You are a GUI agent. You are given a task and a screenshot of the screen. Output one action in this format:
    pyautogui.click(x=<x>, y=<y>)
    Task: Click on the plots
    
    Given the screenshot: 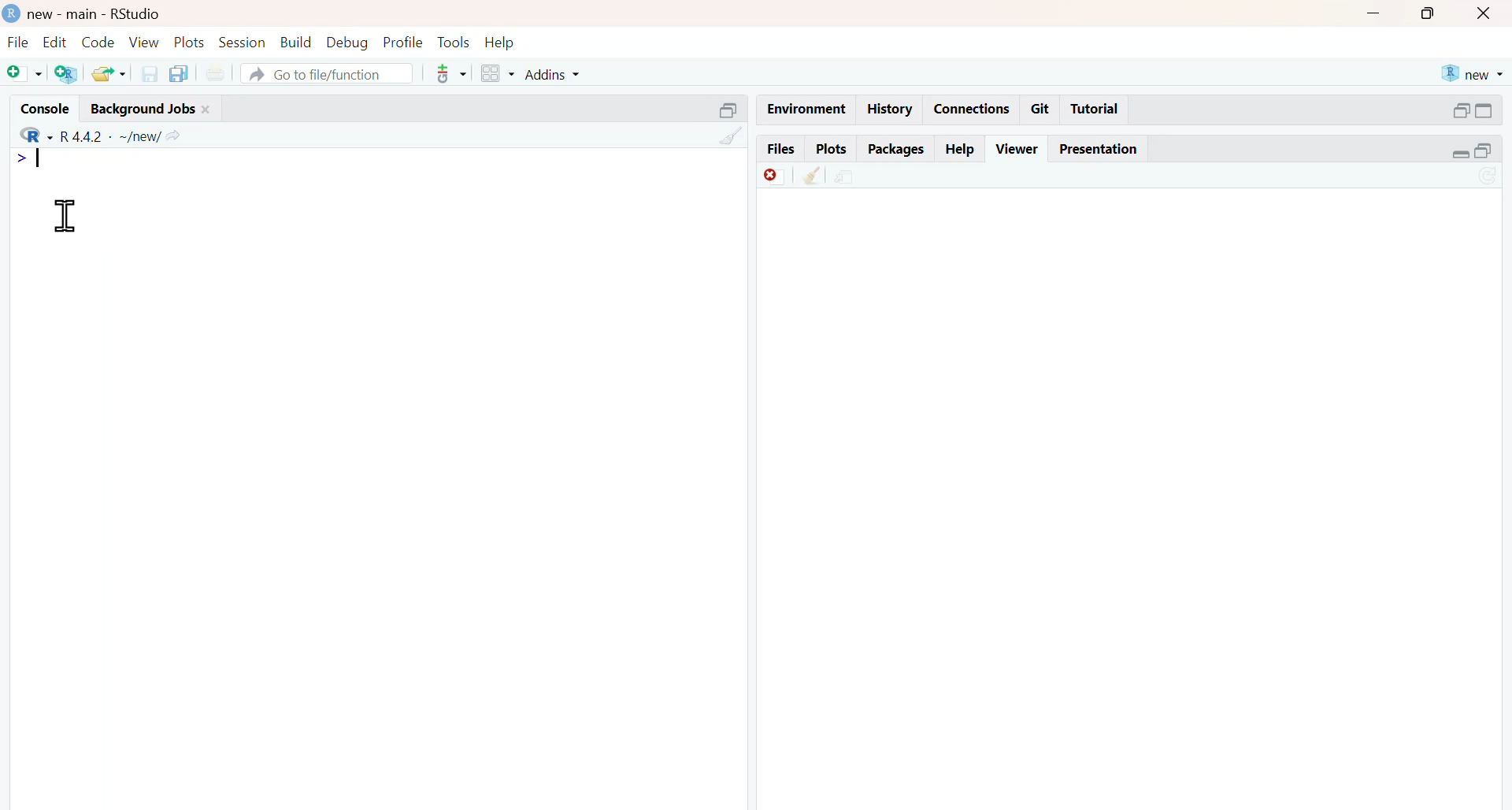 What is the action you would take?
    pyautogui.click(x=833, y=150)
    